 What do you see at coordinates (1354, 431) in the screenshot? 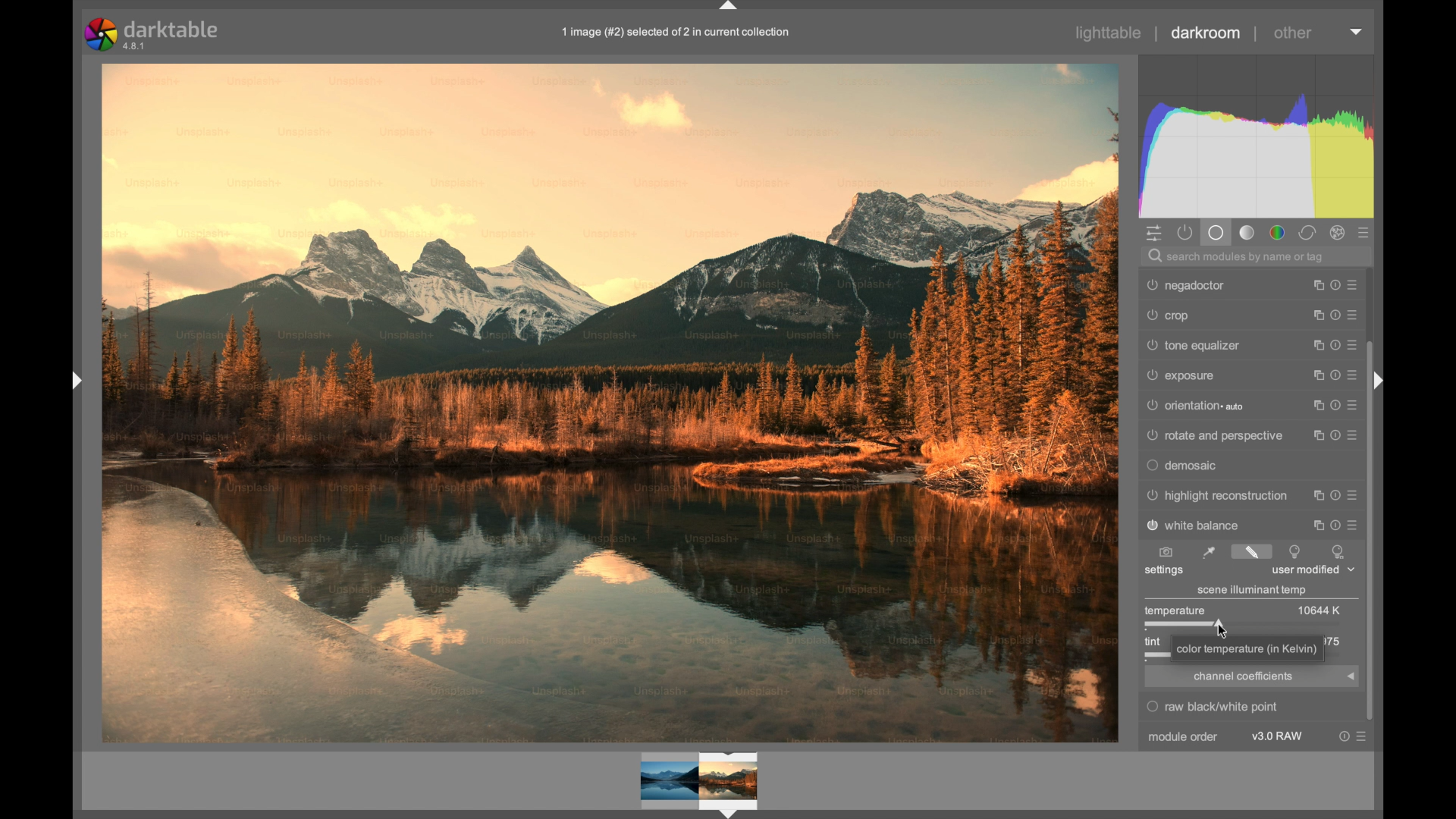
I see `presets` at bounding box center [1354, 431].